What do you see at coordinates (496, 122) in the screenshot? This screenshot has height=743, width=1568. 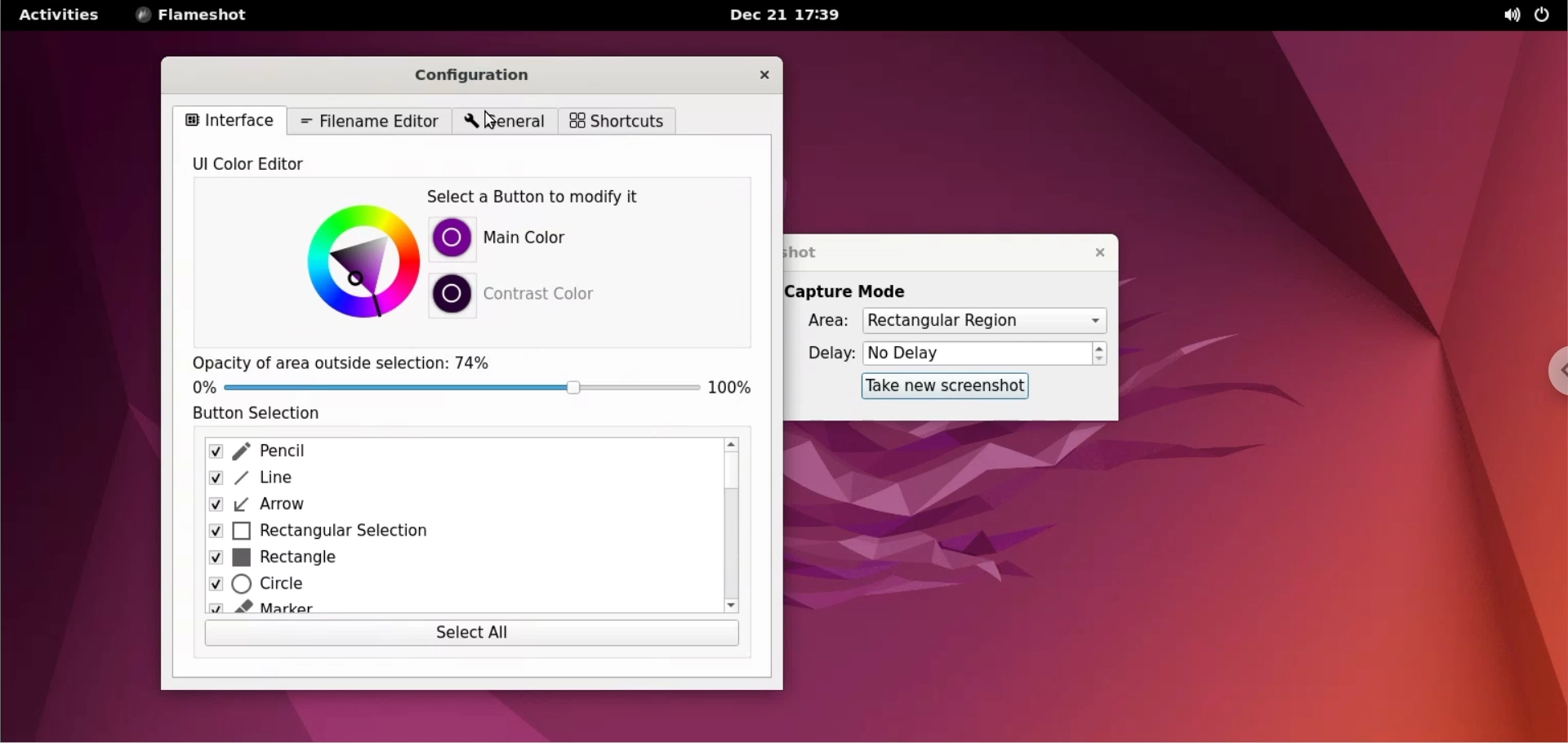 I see `cursor` at bounding box center [496, 122].